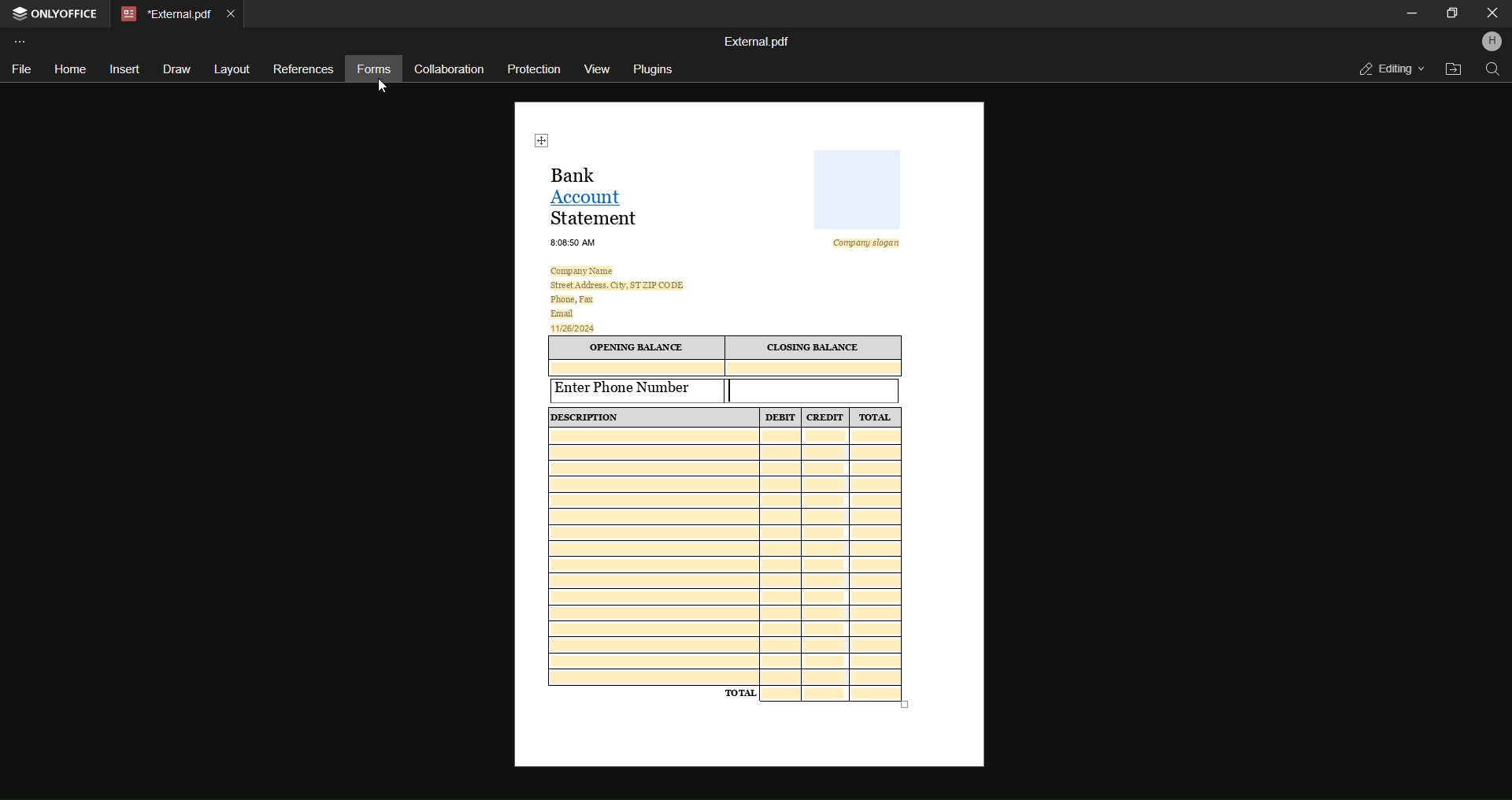 Image resolution: width=1512 pixels, height=800 pixels. Describe the element at coordinates (20, 69) in the screenshot. I see `file` at that location.